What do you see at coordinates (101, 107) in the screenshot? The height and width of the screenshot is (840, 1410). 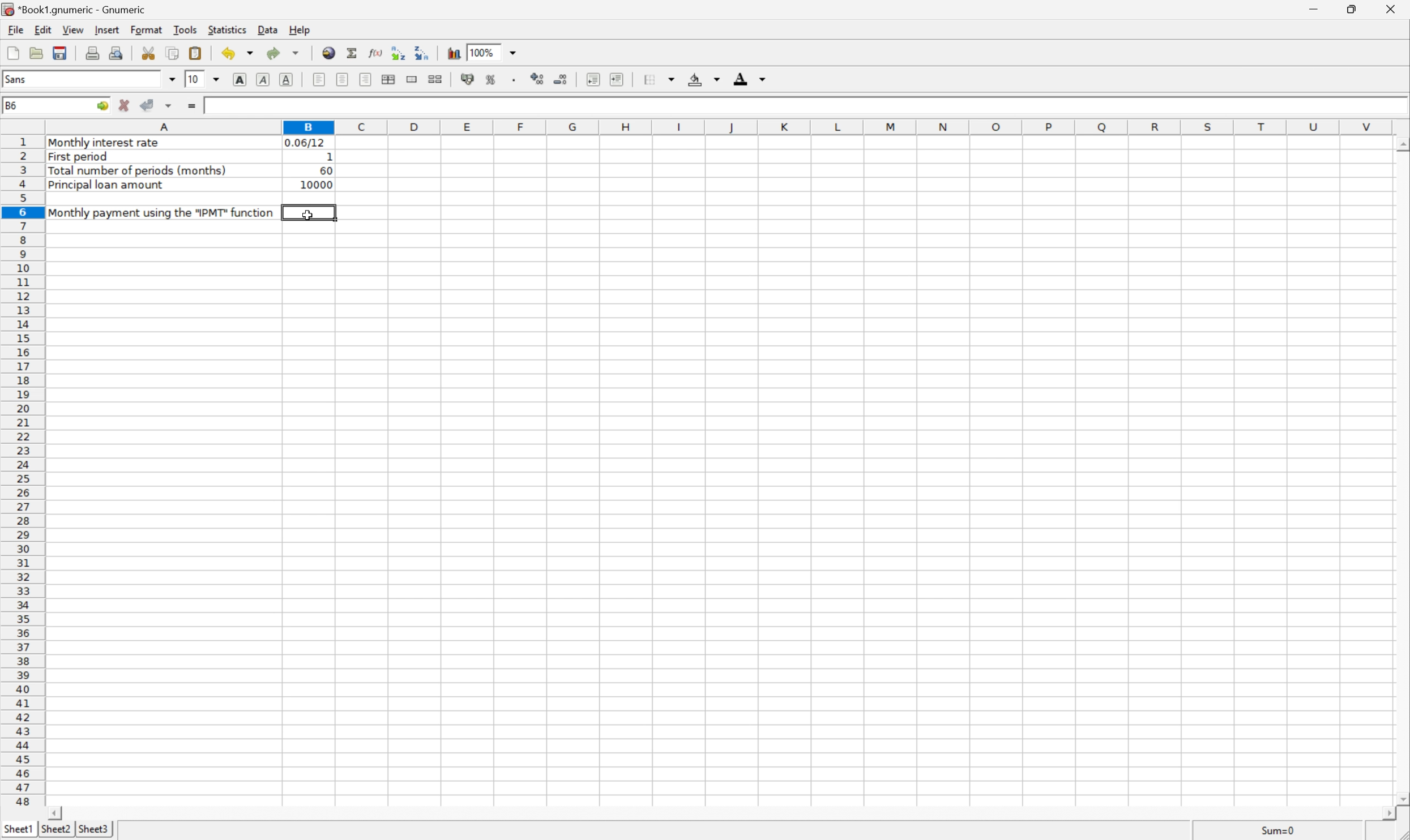 I see `Go To` at bounding box center [101, 107].